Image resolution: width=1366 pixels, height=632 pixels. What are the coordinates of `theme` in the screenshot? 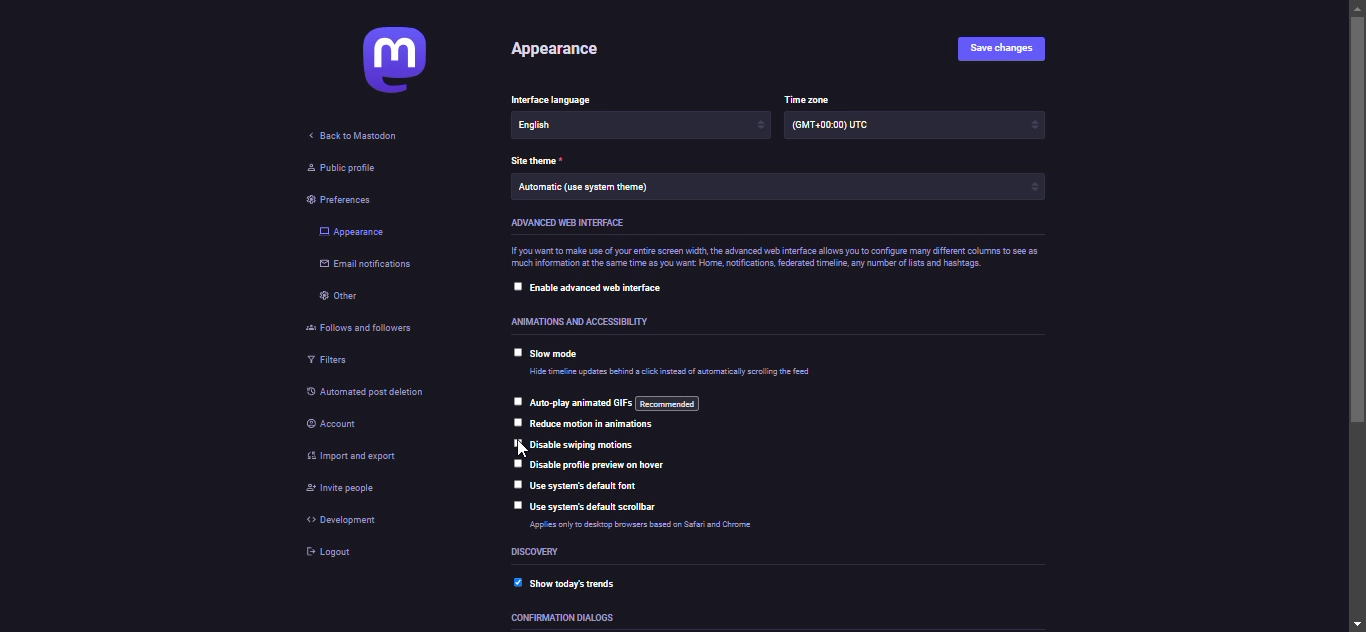 It's located at (600, 188).